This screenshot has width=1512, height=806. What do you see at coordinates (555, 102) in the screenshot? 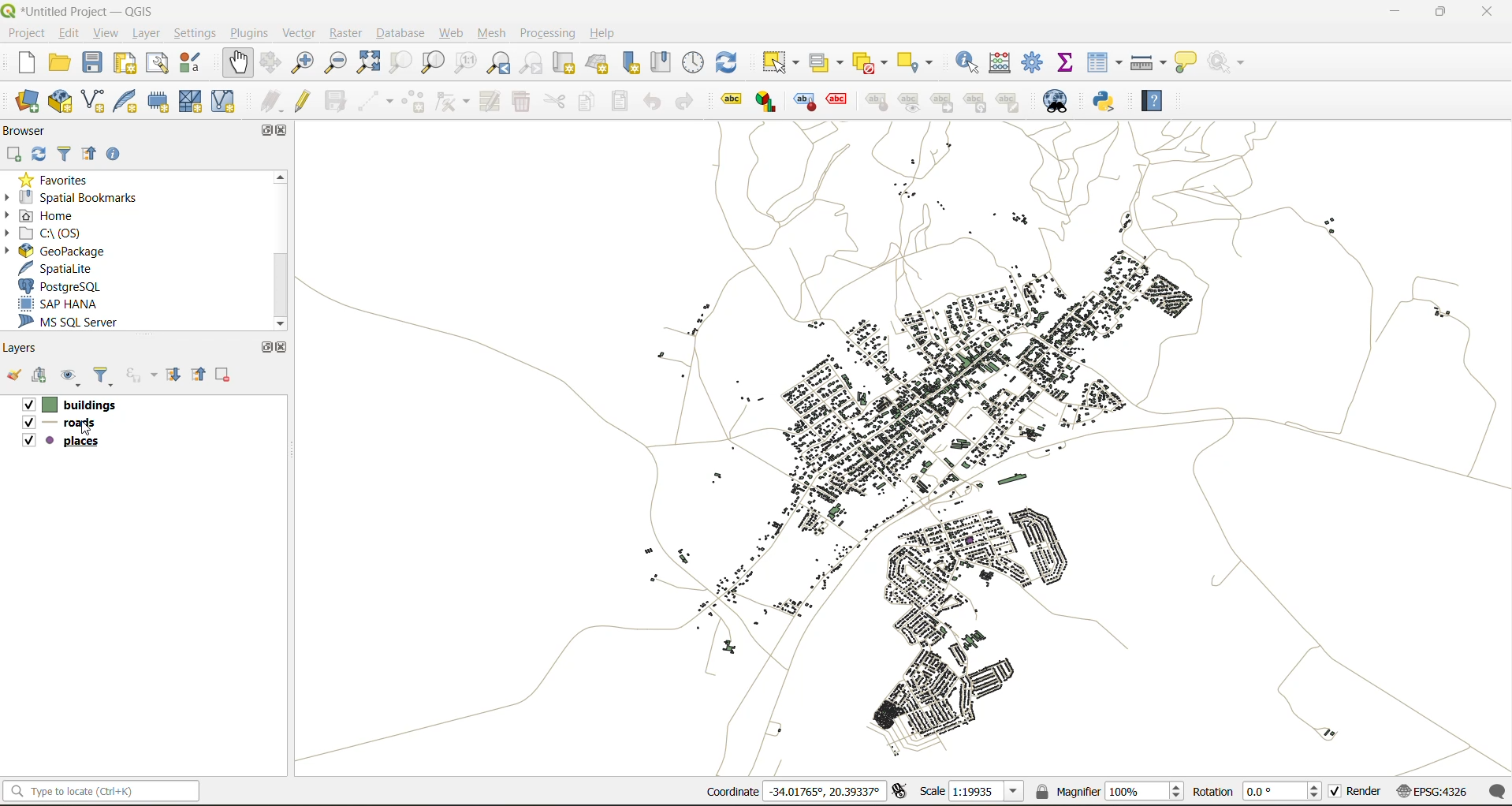
I see `cut` at bounding box center [555, 102].